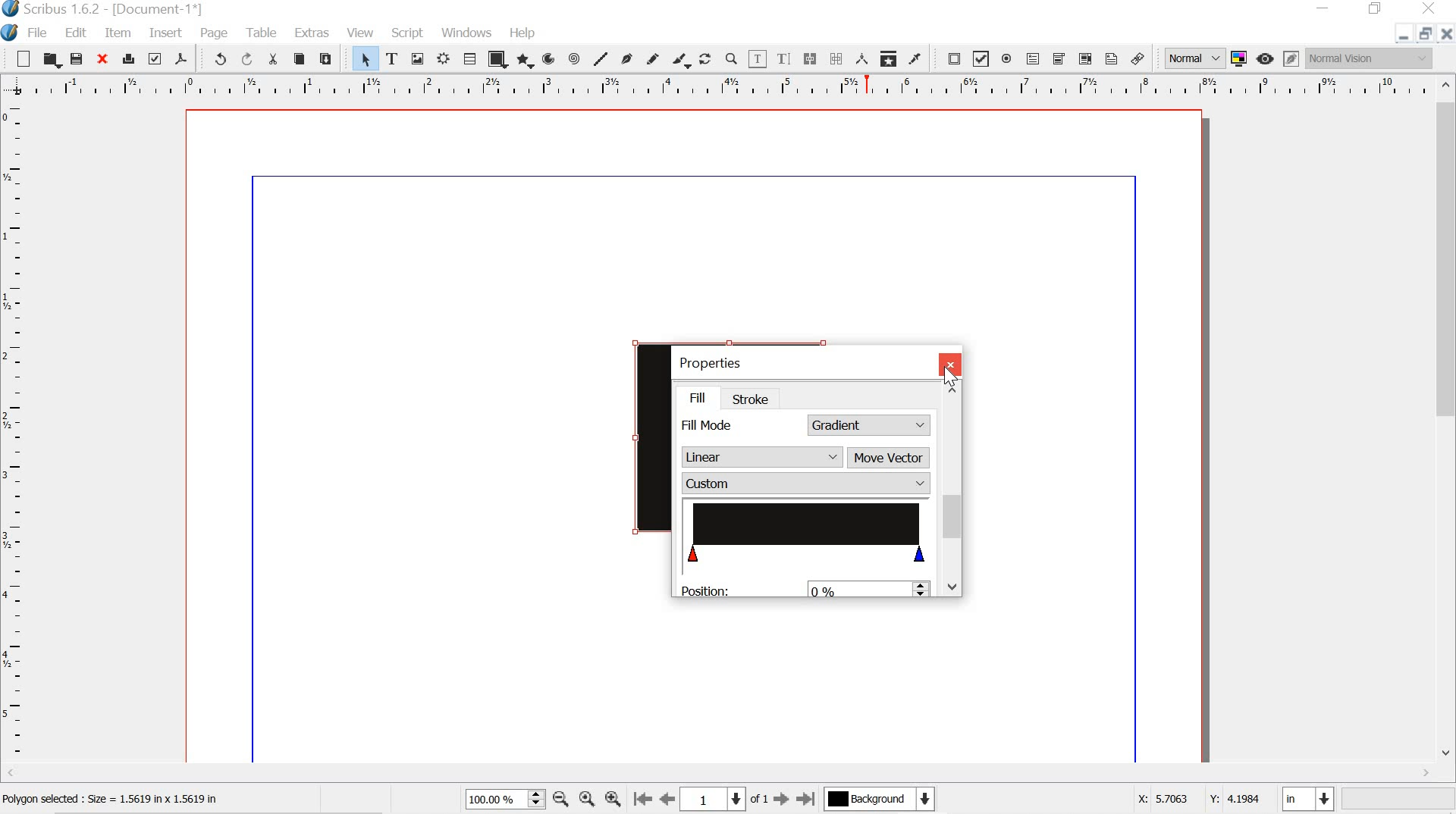  What do you see at coordinates (682, 58) in the screenshot?
I see `calligraphic line` at bounding box center [682, 58].